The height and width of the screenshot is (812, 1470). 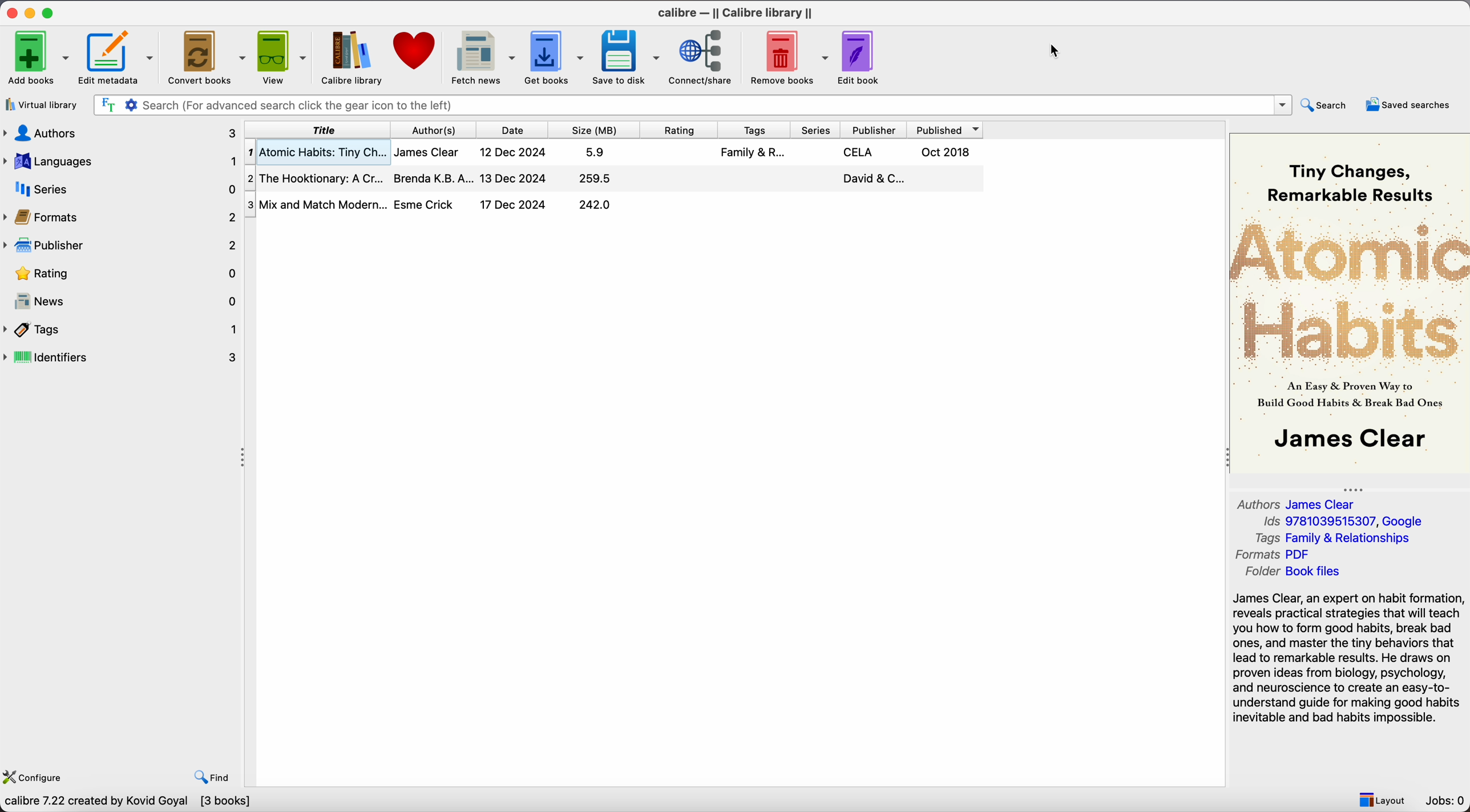 What do you see at coordinates (122, 358) in the screenshot?
I see `identifiers` at bounding box center [122, 358].